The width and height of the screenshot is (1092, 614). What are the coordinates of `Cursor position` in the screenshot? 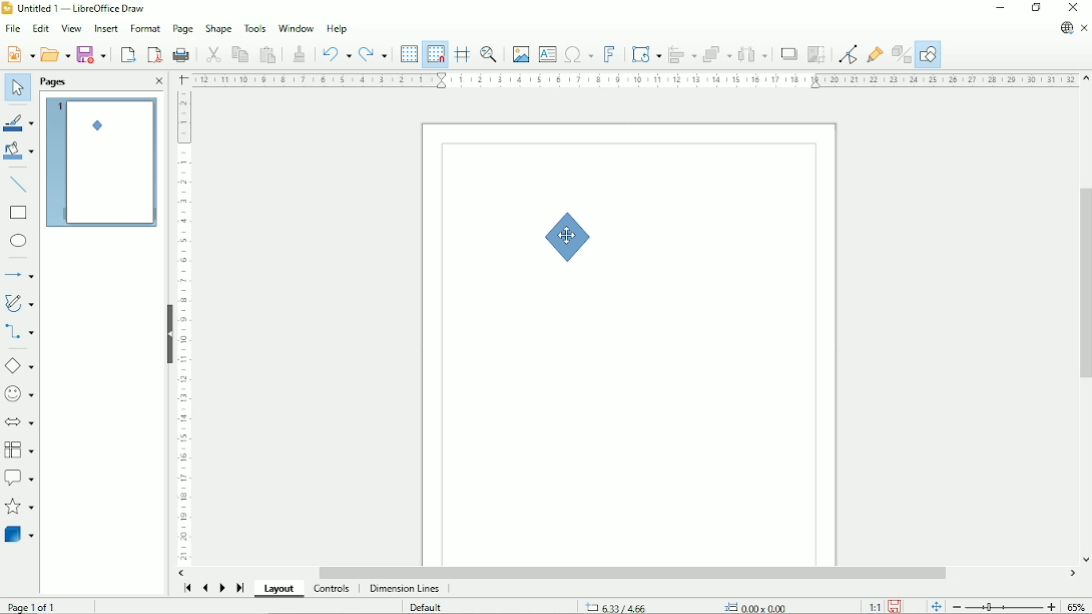 It's located at (688, 606).